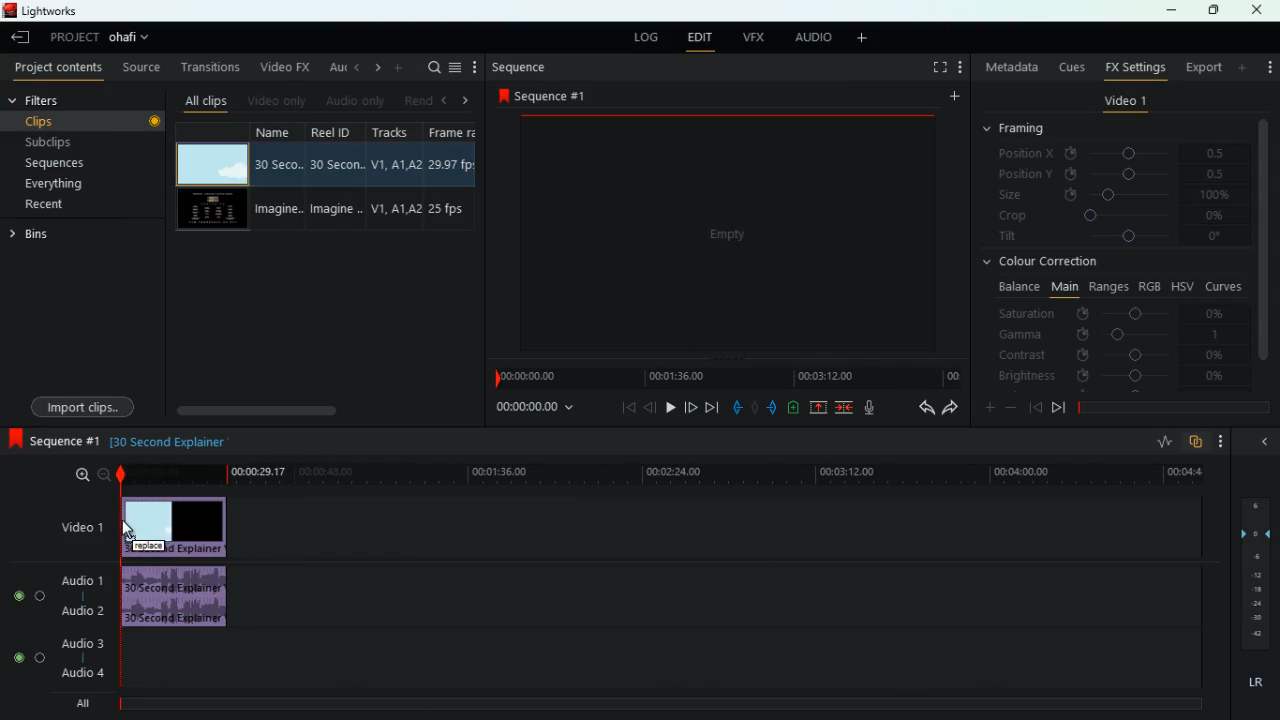 This screenshot has height=720, width=1280. Describe the element at coordinates (1048, 261) in the screenshot. I see `colour correction` at that location.